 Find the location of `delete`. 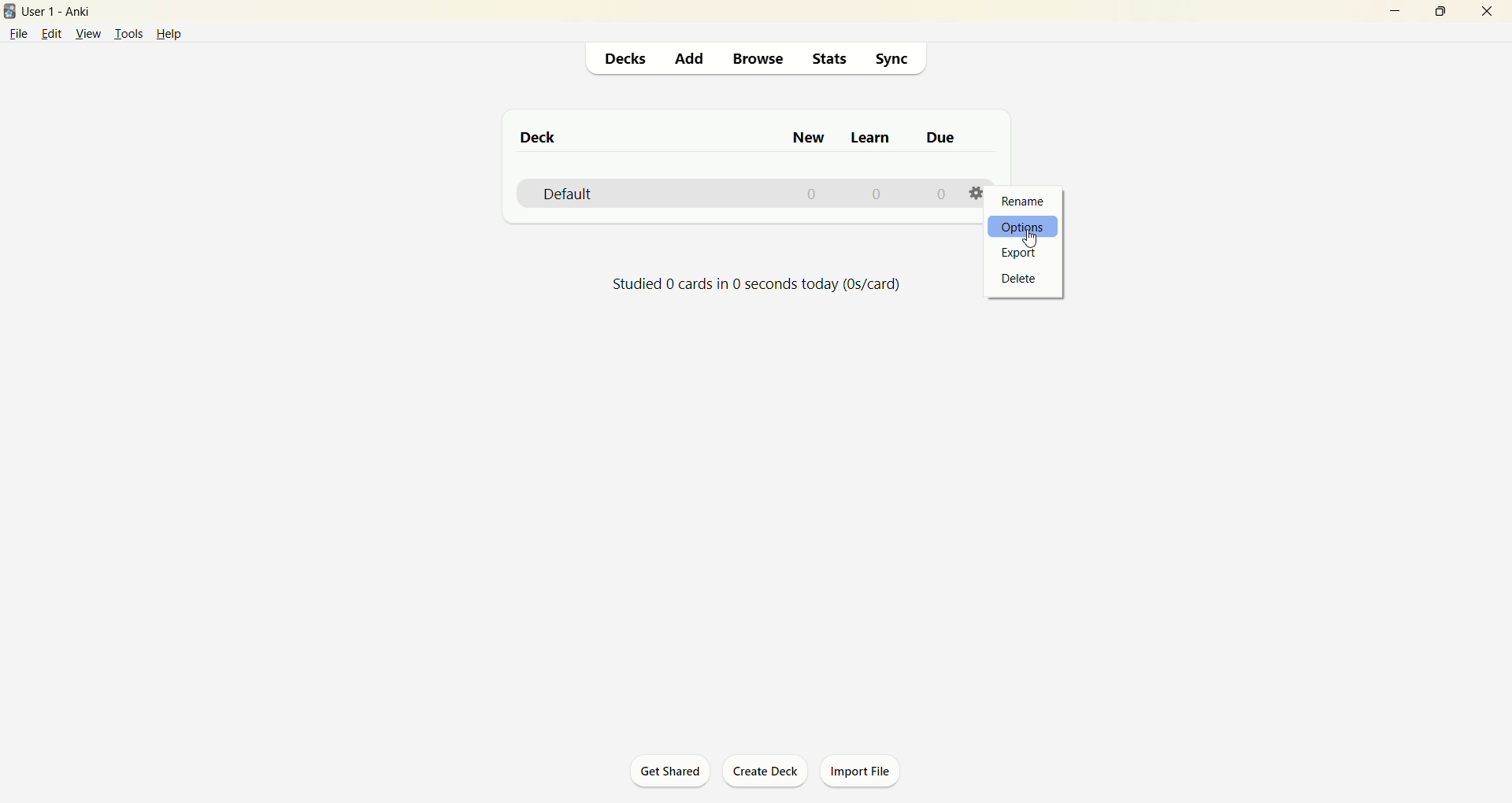

delete is located at coordinates (1017, 278).